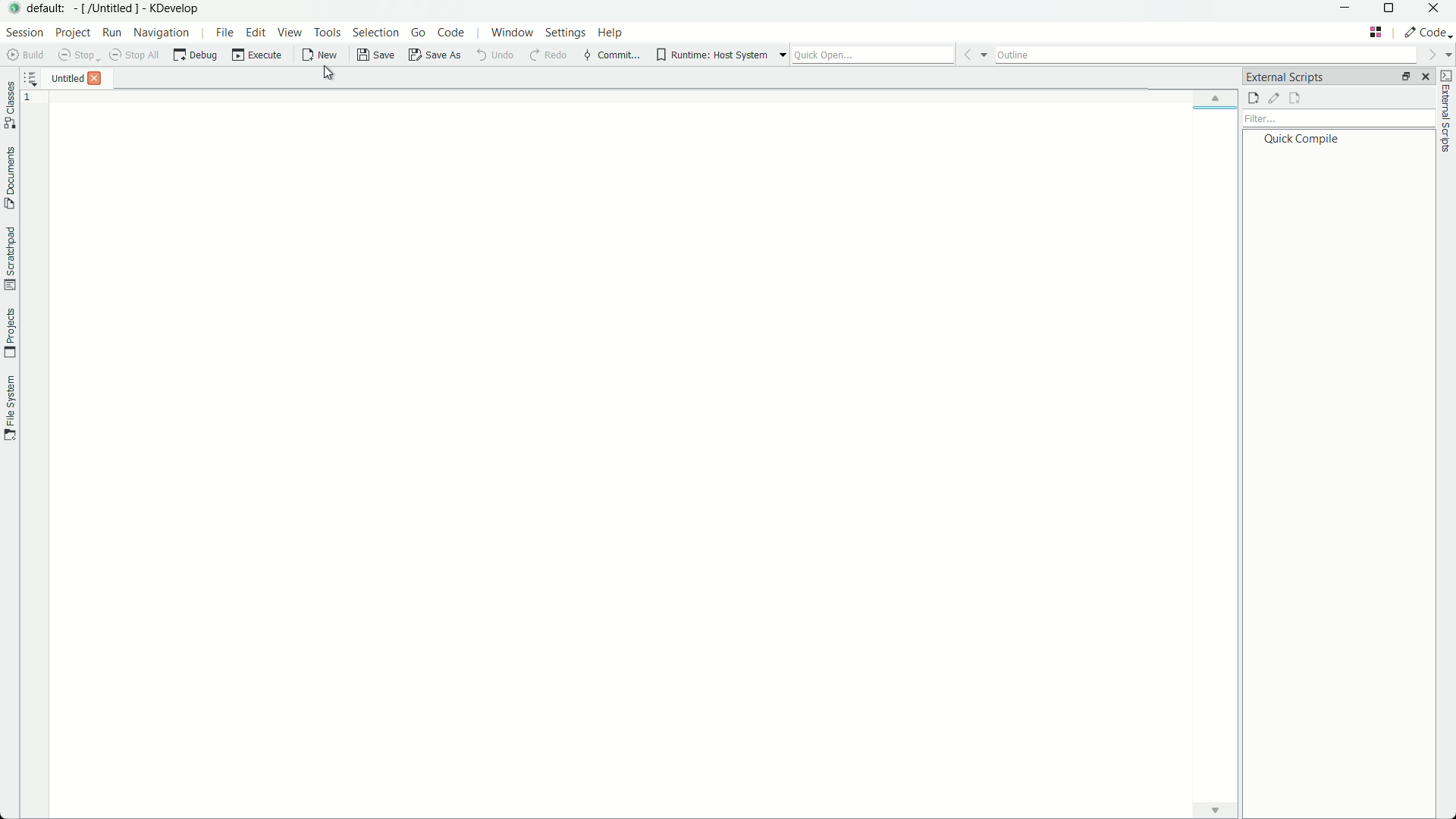 The image size is (1456, 819). Describe the element at coordinates (1400, 78) in the screenshot. I see `change layout` at that location.